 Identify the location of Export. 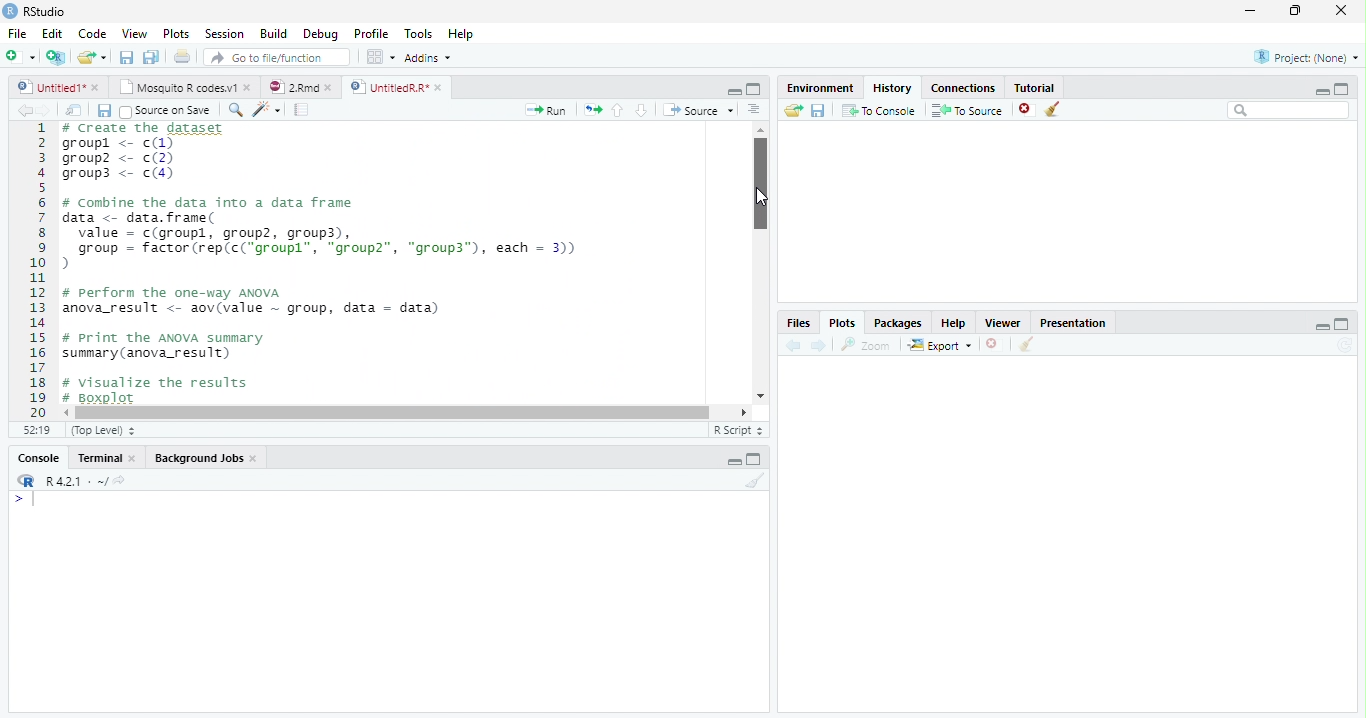
(941, 345).